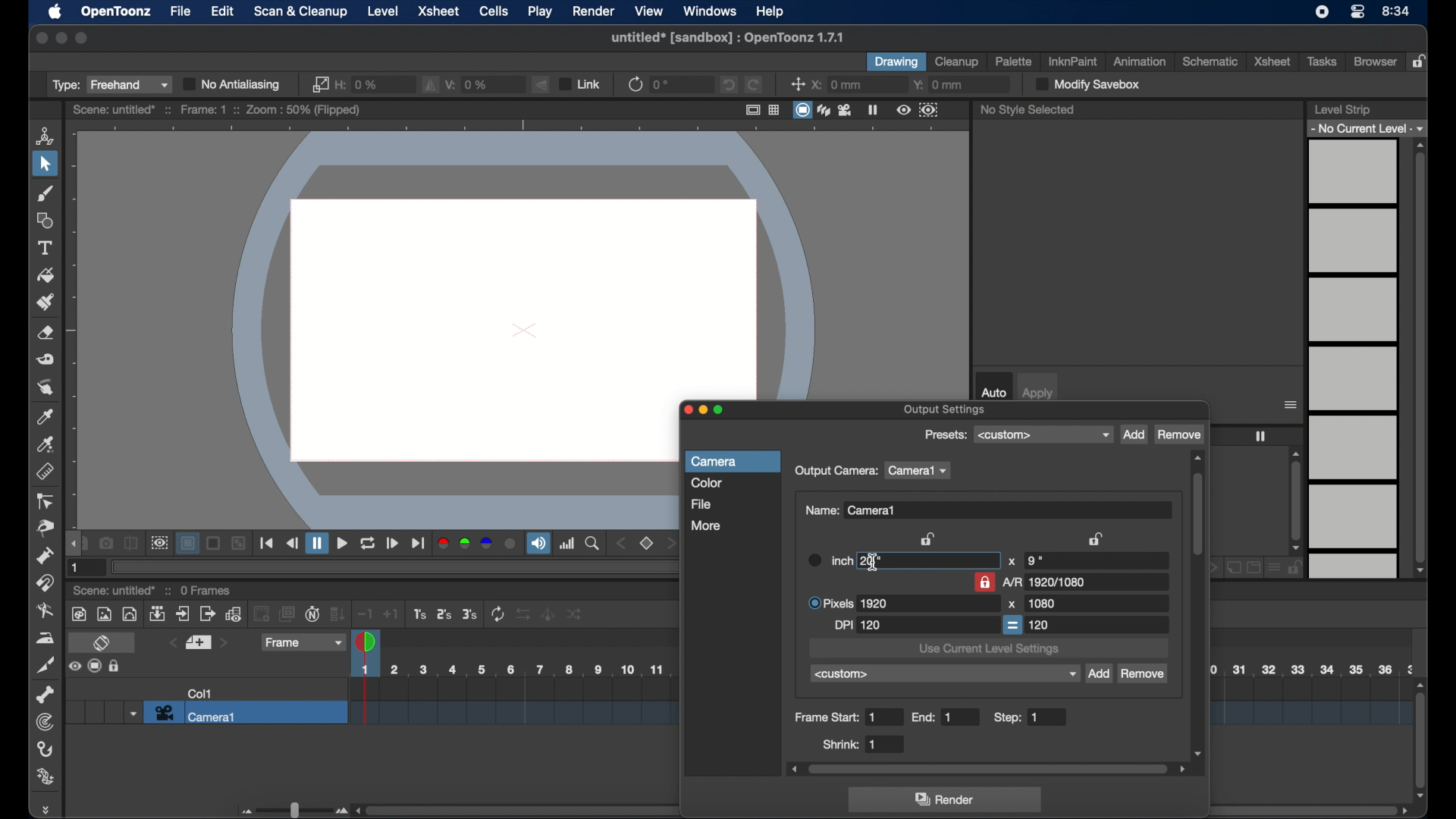 This screenshot has width=1456, height=819. What do you see at coordinates (47, 333) in the screenshot?
I see `eraser tool` at bounding box center [47, 333].